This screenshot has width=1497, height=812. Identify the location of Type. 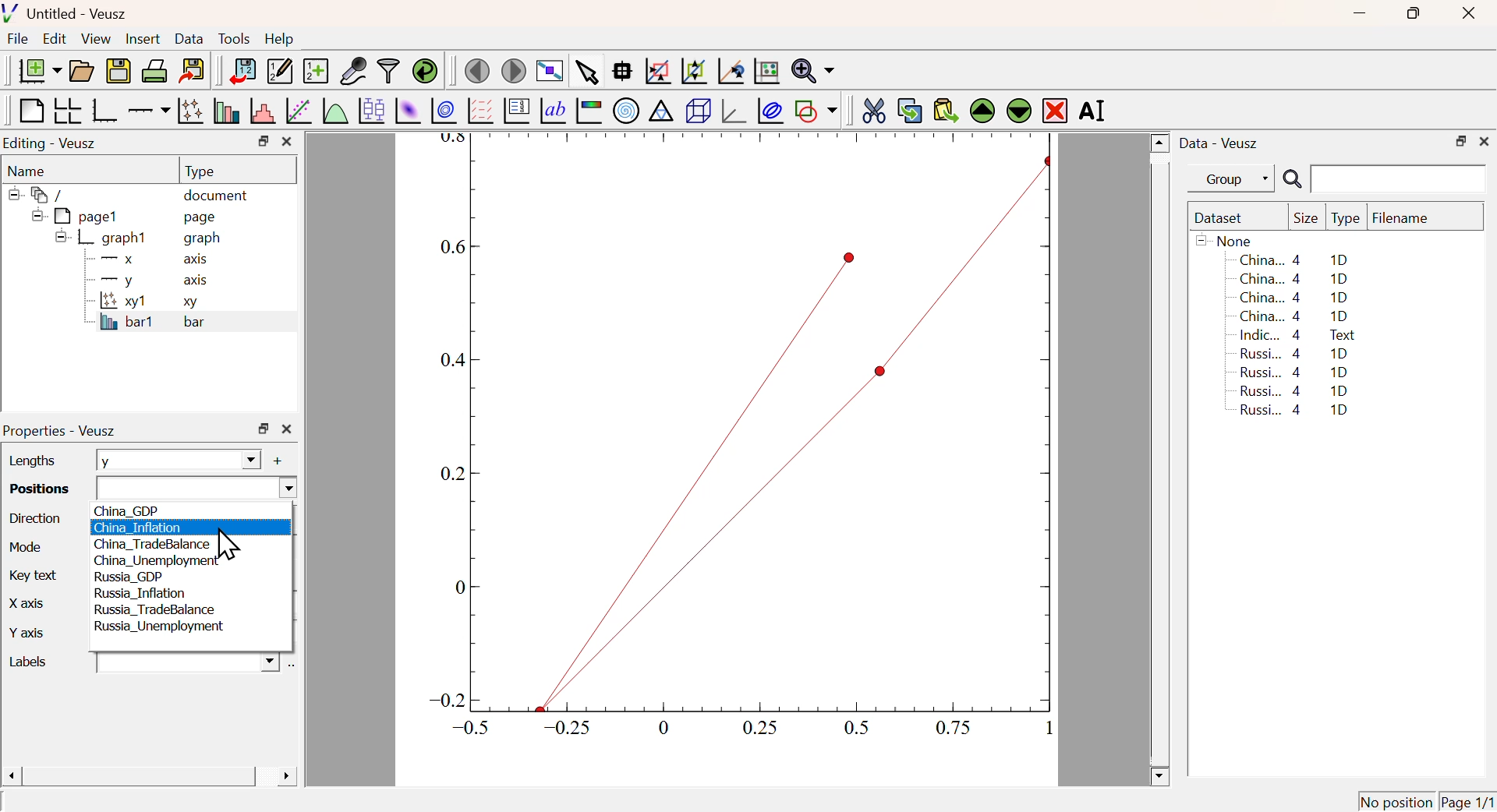
(1346, 219).